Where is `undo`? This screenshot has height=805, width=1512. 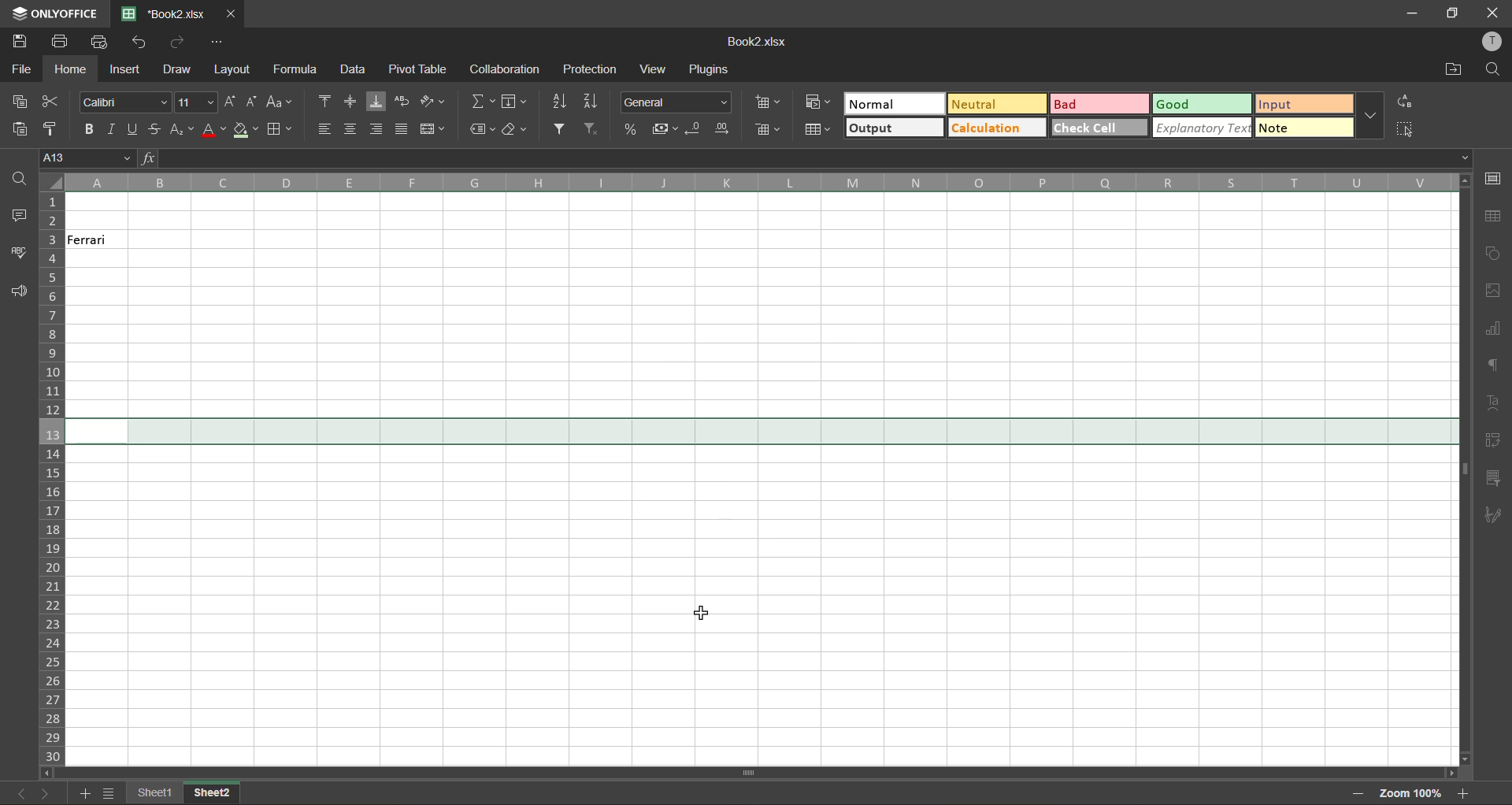
undo is located at coordinates (145, 44).